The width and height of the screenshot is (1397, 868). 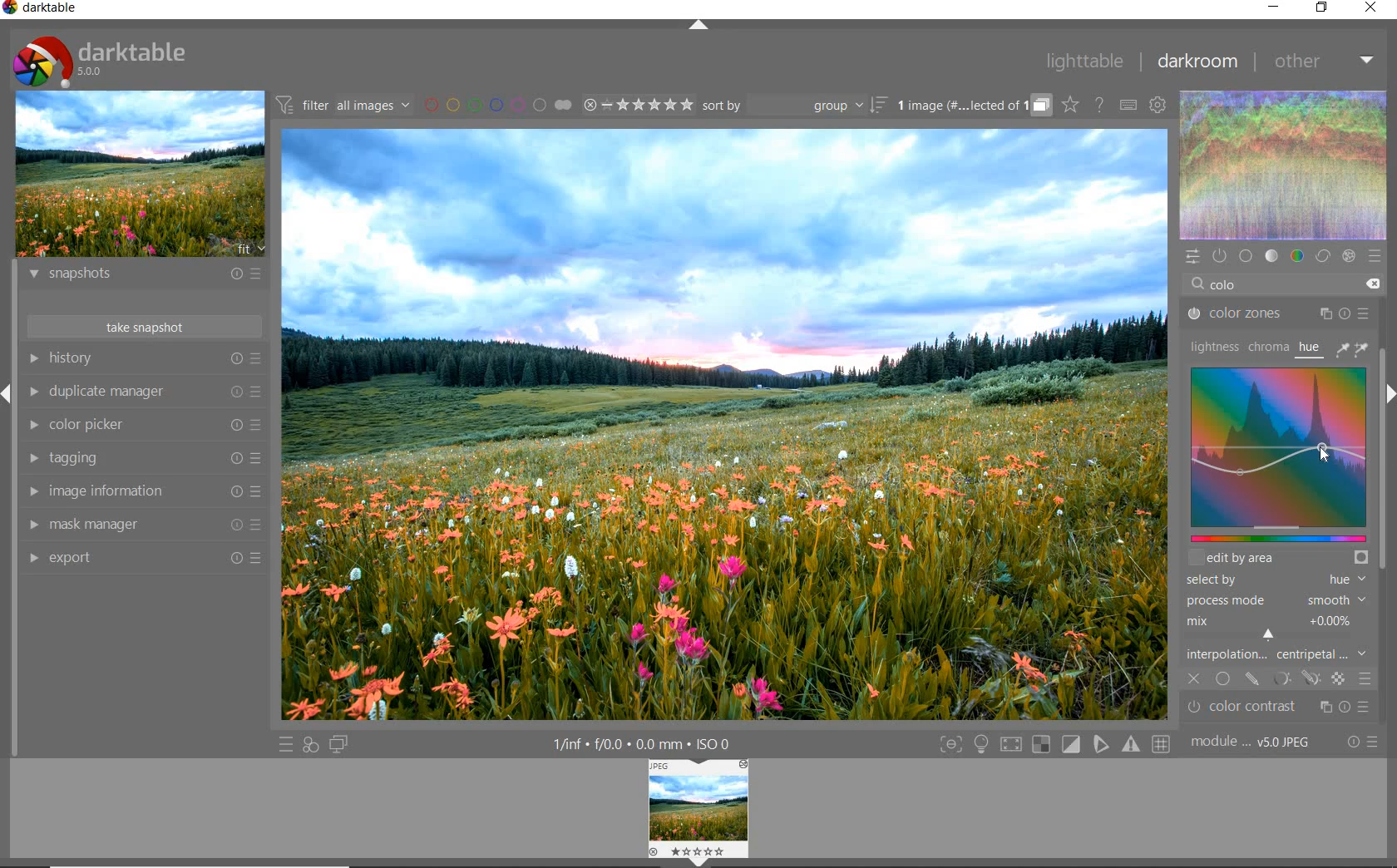 I want to click on Image preview, so click(x=699, y=811).